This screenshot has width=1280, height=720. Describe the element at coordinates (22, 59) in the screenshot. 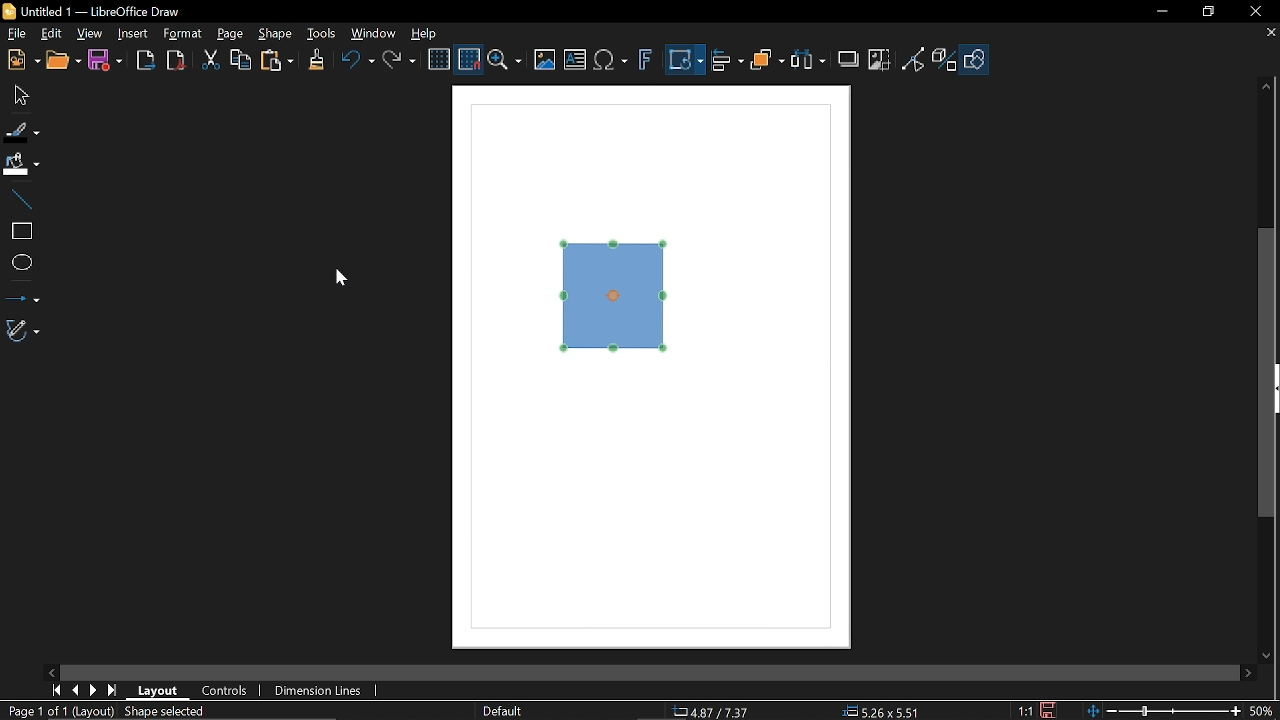

I see `New` at that location.